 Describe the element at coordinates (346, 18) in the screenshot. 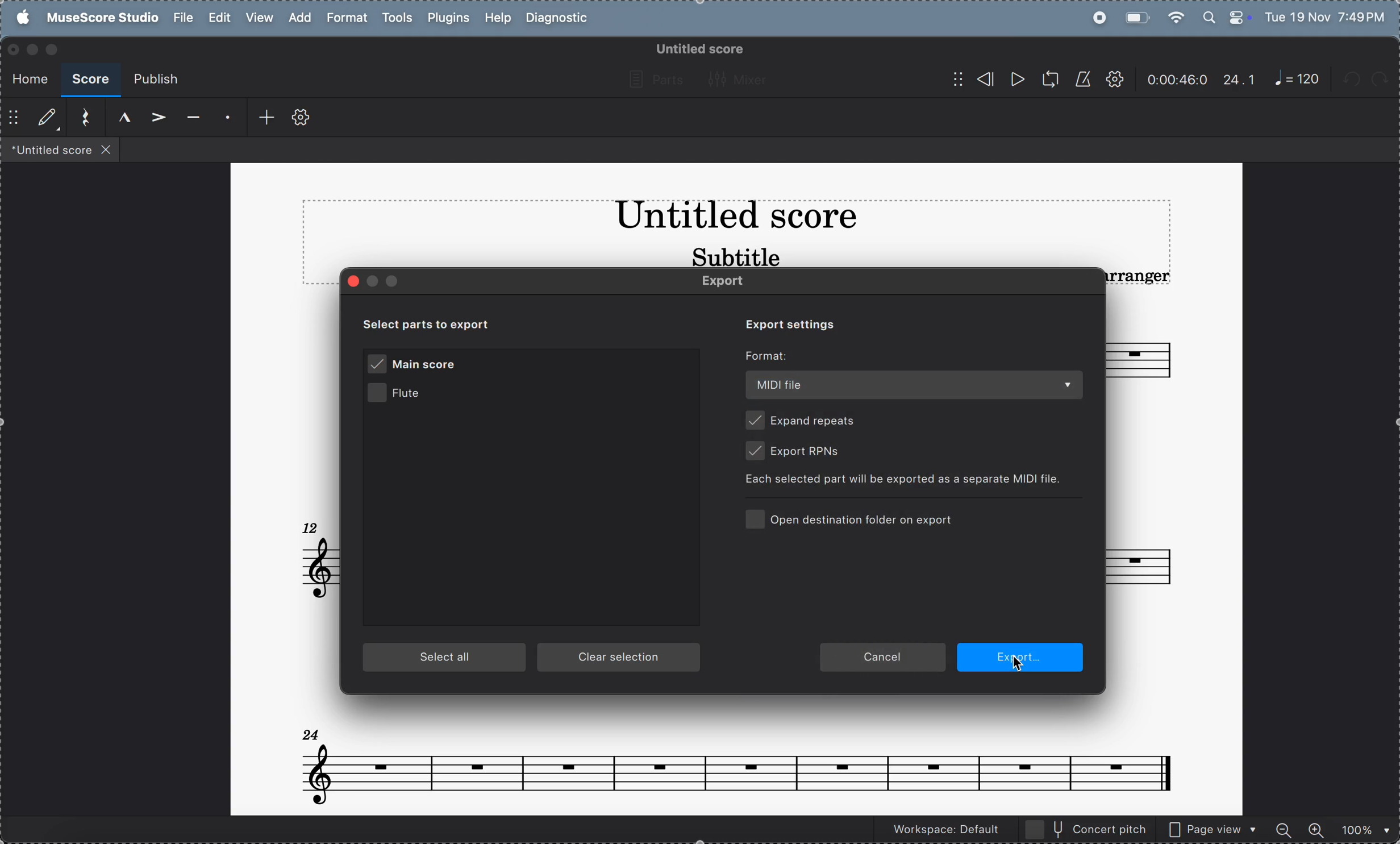

I see `format` at that location.